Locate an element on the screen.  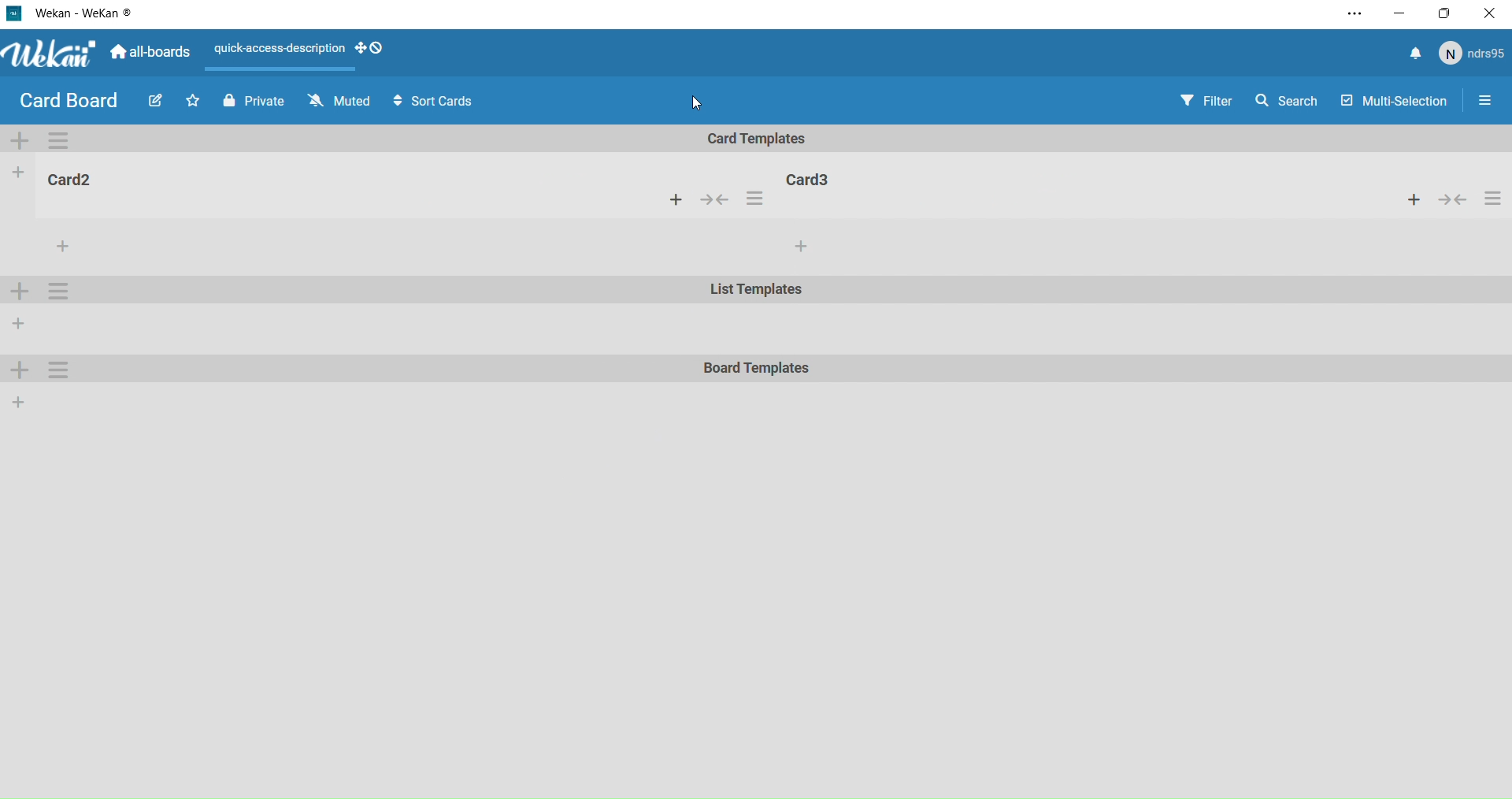
WeKan is located at coordinates (72, 13).